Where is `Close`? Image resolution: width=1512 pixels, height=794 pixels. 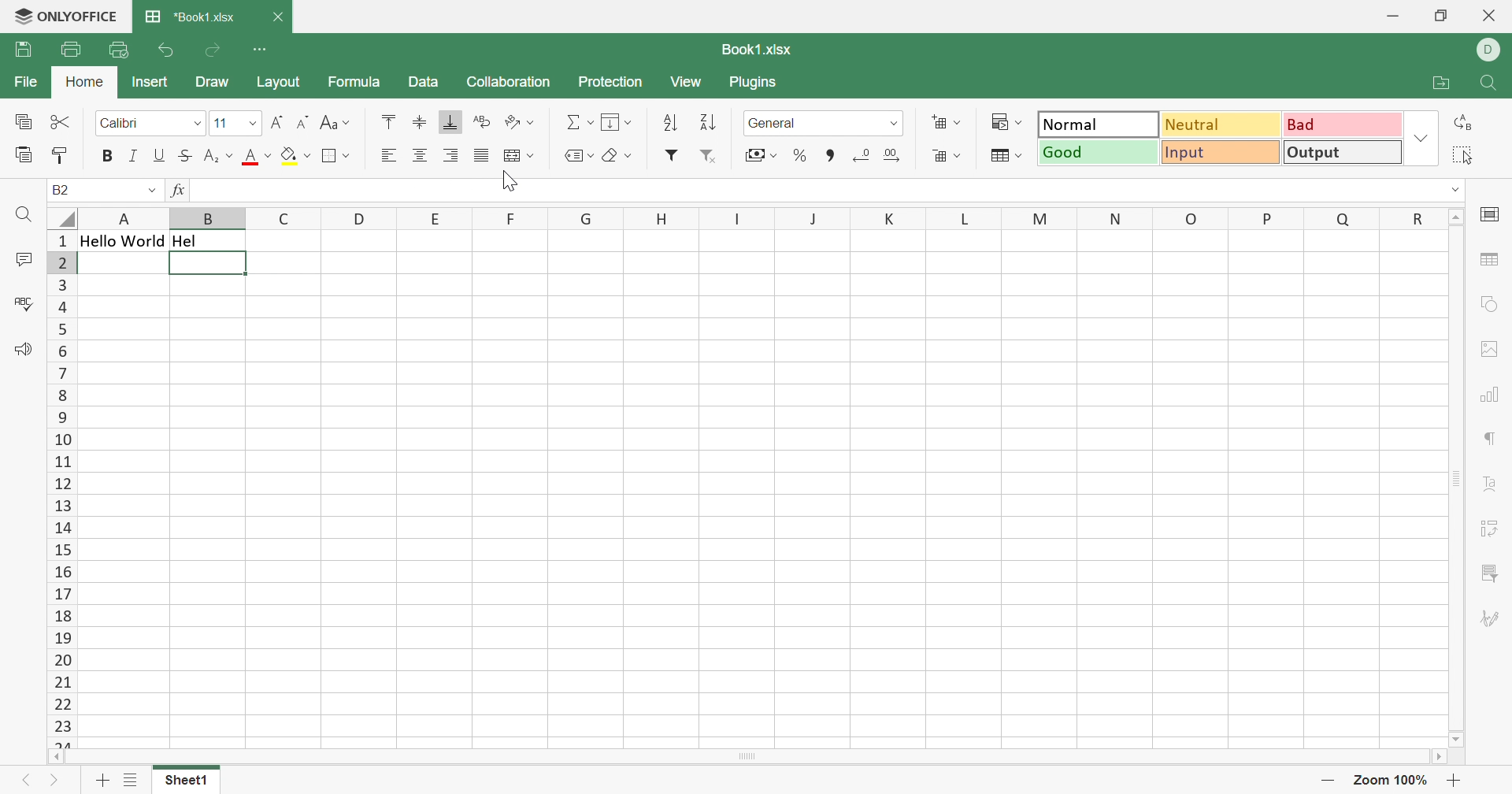 Close is located at coordinates (1491, 15).